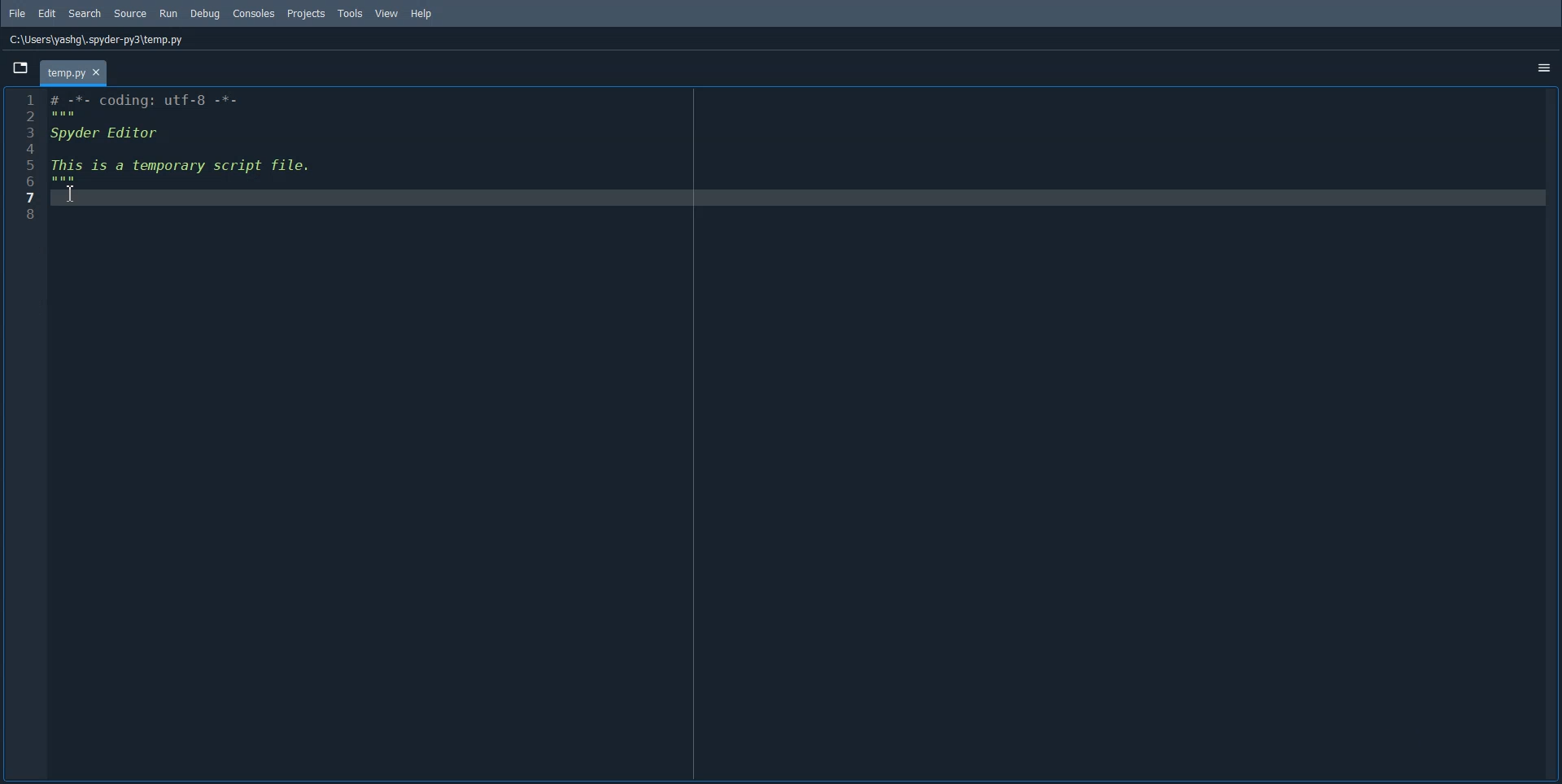 The height and width of the screenshot is (784, 1562). What do you see at coordinates (1538, 67) in the screenshot?
I see `options` at bounding box center [1538, 67].